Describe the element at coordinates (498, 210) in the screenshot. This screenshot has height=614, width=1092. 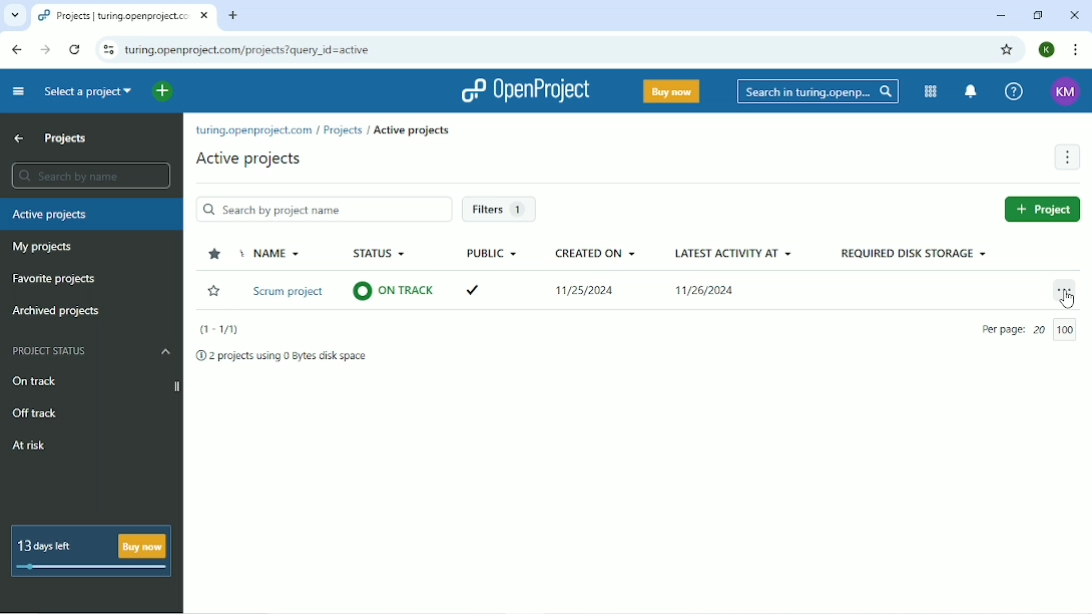
I see `Filters` at that location.